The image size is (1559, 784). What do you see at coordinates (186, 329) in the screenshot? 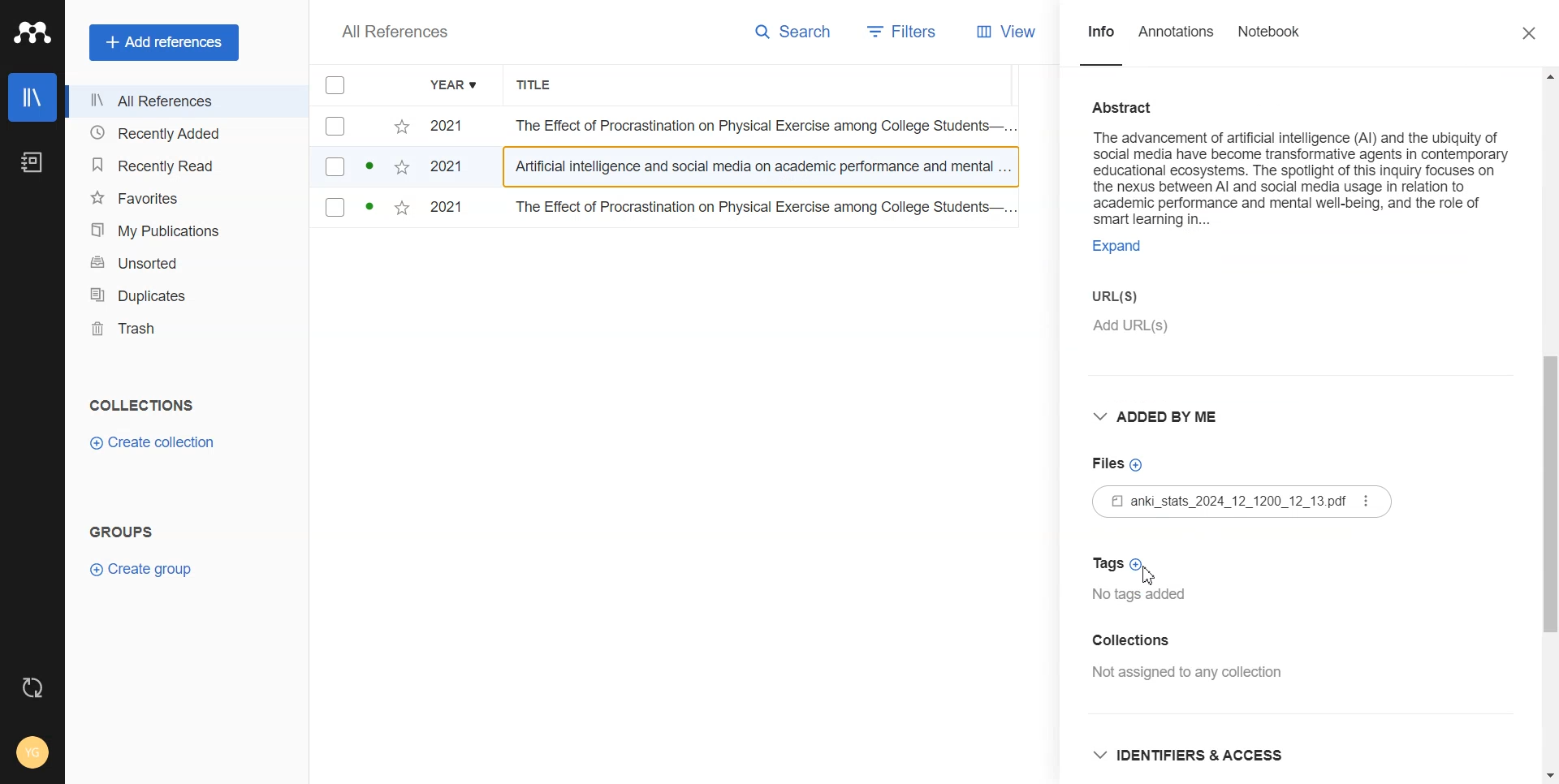
I see `Trash` at bounding box center [186, 329].